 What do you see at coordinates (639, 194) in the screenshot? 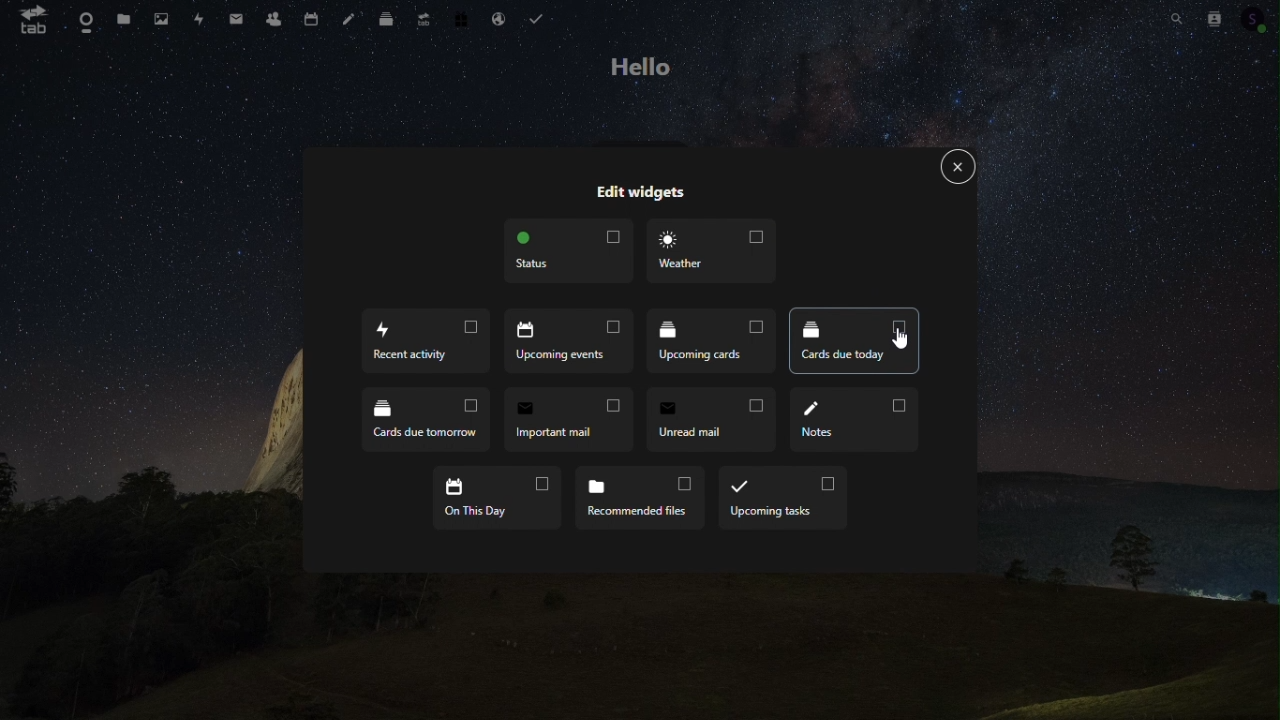
I see `Edit widgets` at bounding box center [639, 194].